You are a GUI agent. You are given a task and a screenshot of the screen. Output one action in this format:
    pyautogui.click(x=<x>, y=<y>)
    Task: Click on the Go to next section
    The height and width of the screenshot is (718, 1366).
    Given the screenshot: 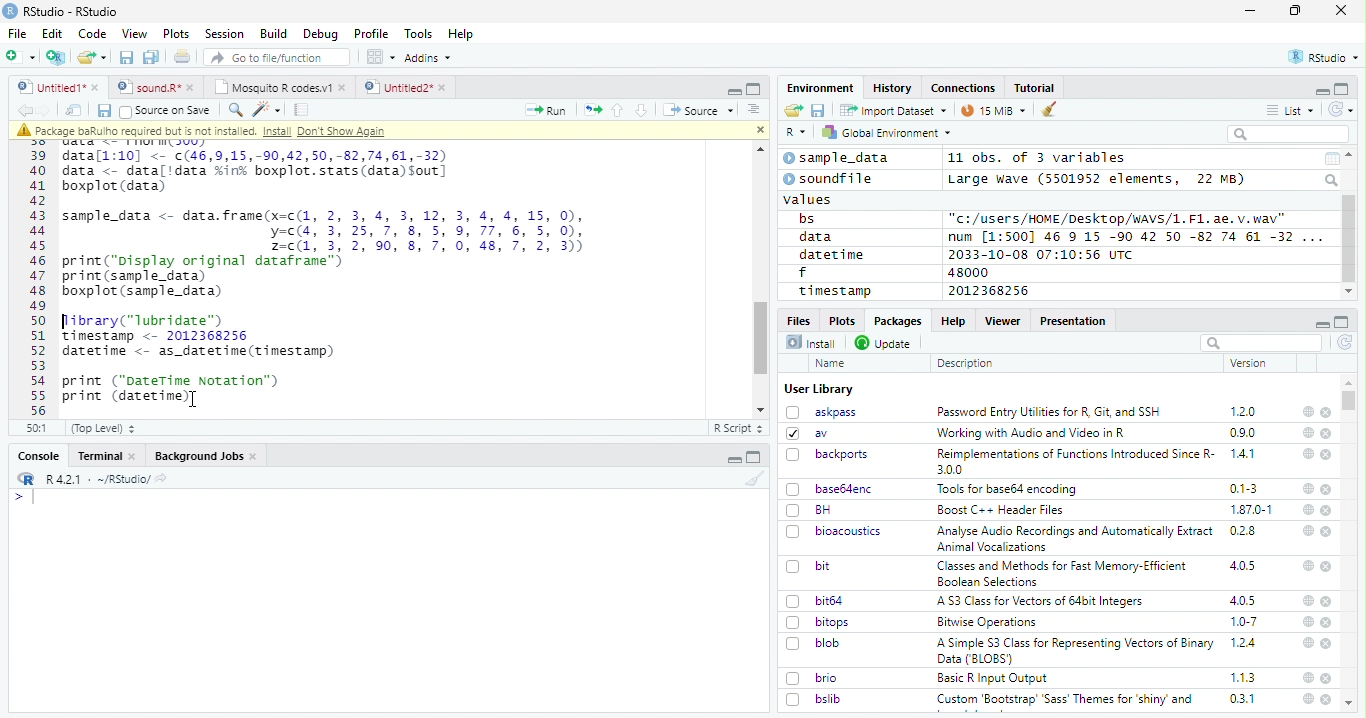 What is the action you would take?
    pyautogui.click(x=644, y=110)
    